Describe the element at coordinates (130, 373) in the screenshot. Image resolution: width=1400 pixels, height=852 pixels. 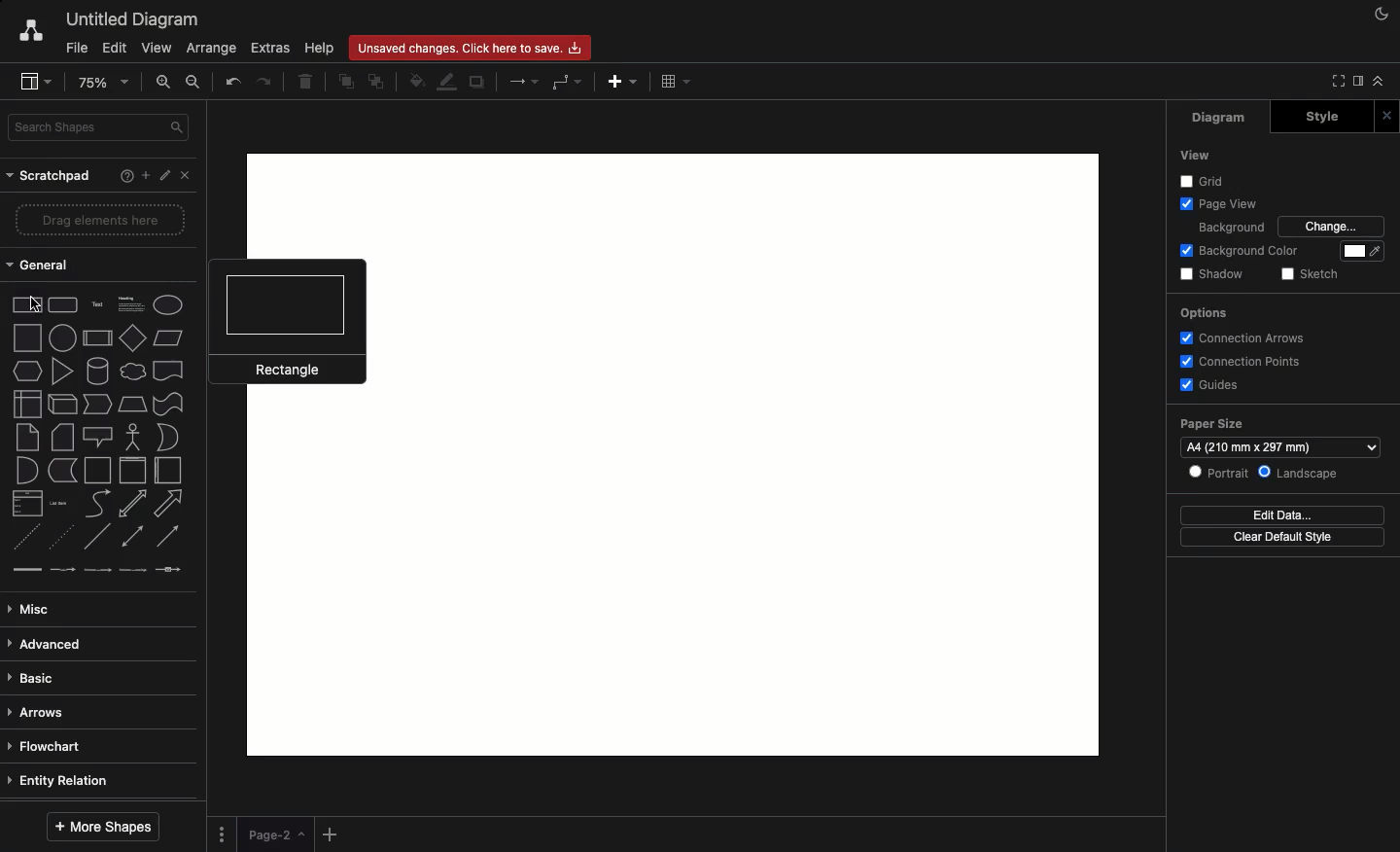
I see `cloud` at that location.